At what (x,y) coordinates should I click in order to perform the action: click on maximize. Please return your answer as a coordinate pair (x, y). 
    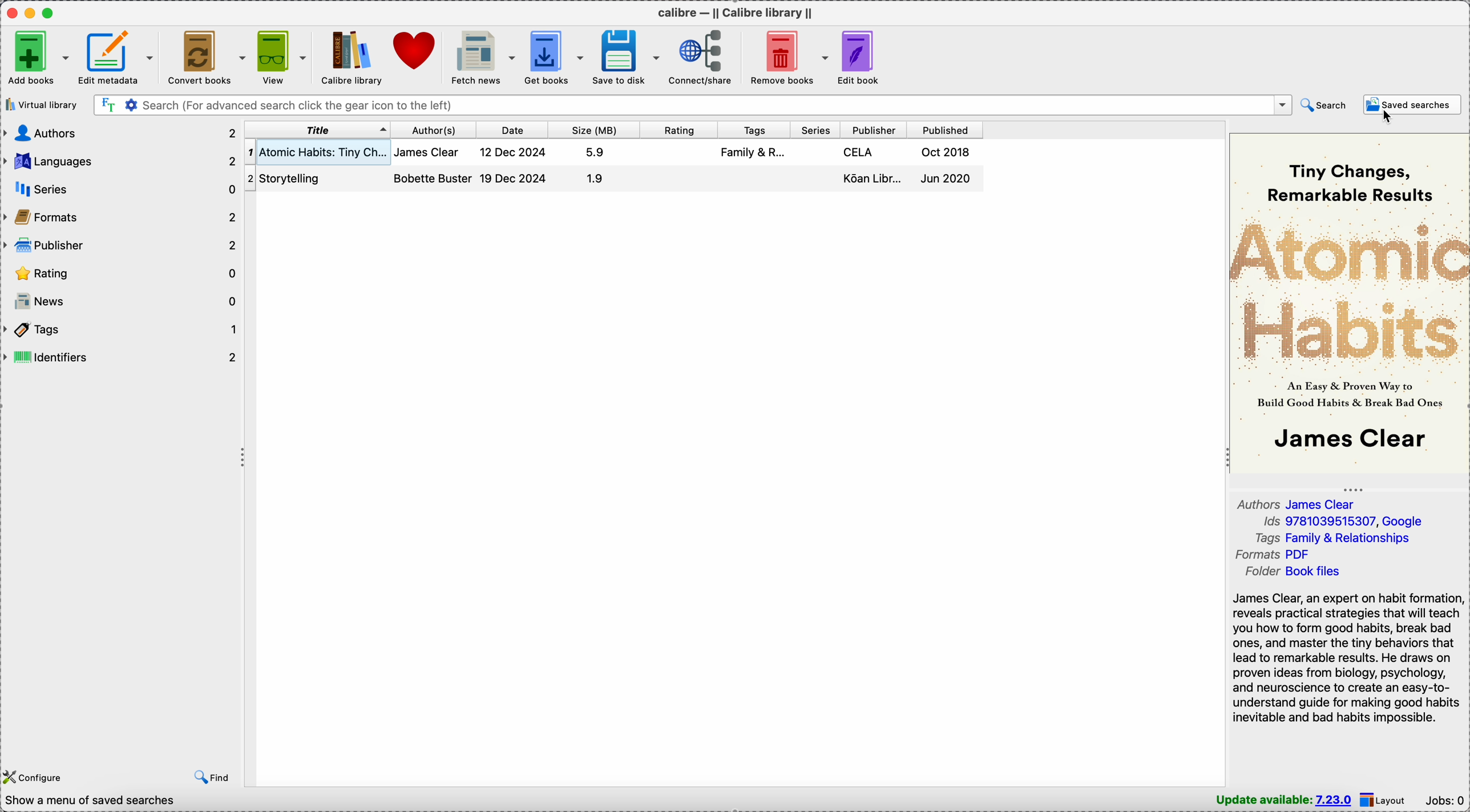
    Looking at the image, I should click on (49, 12).